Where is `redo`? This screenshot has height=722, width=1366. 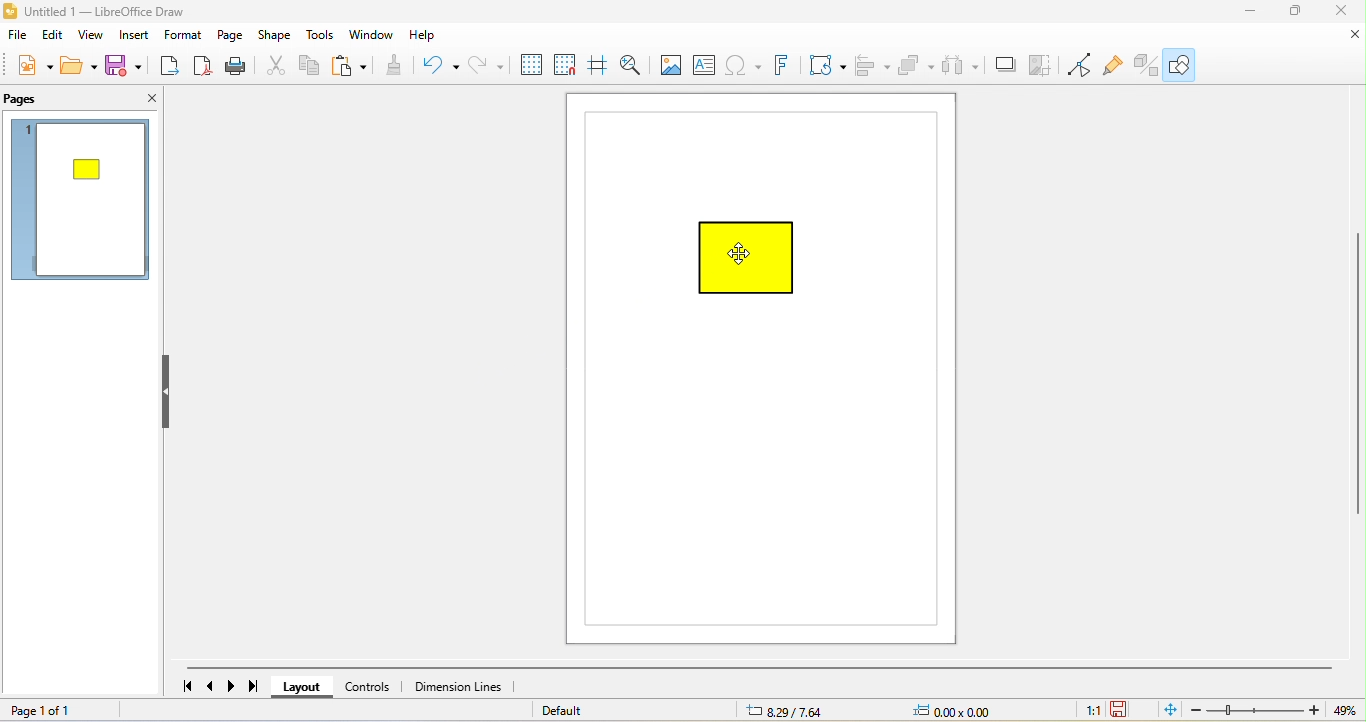 redo is located at coordinates (487, 65).